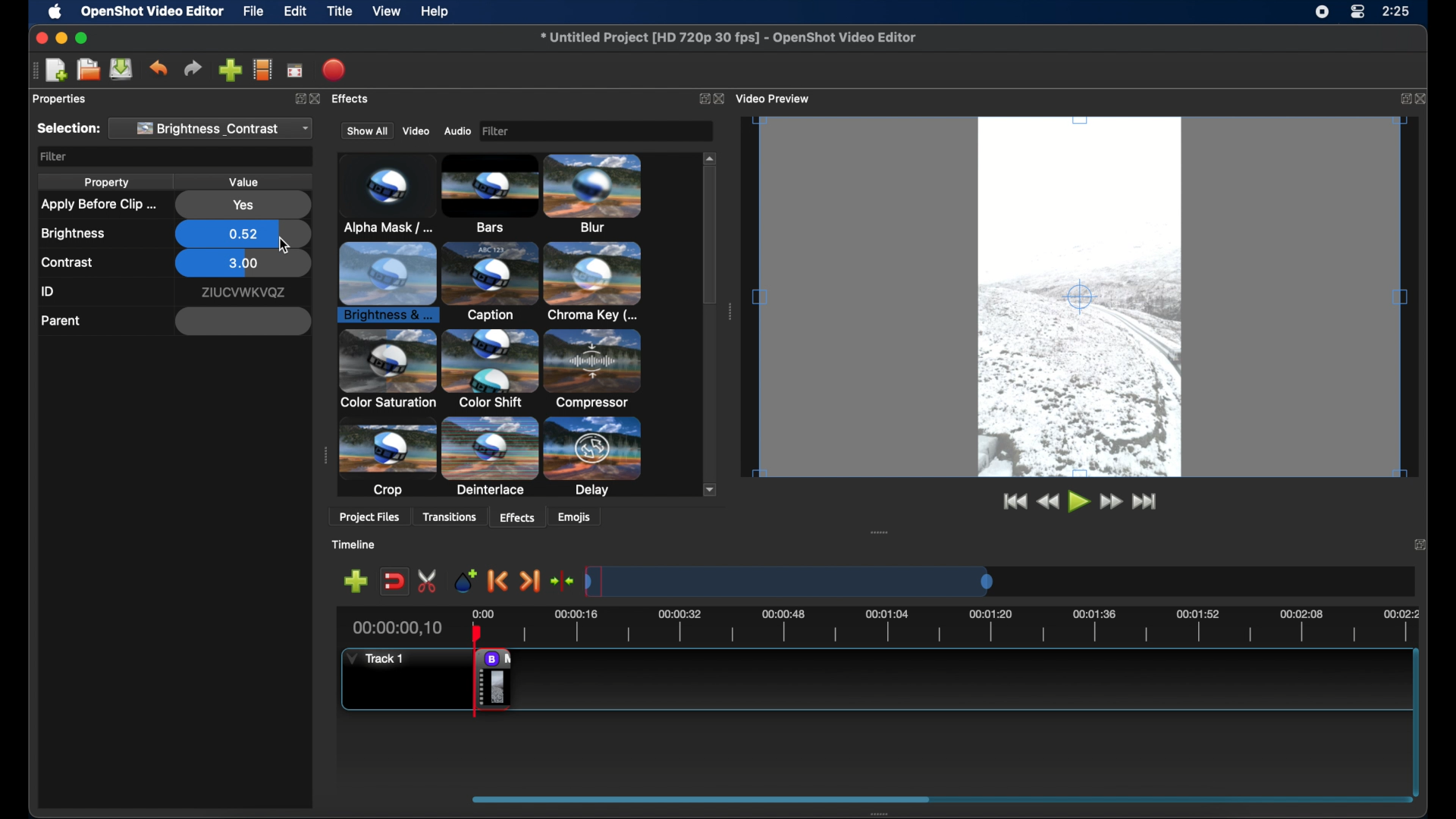  Describe the element at coordinates (952, 624) in the screenshot. I see `timeline scale` at that location.